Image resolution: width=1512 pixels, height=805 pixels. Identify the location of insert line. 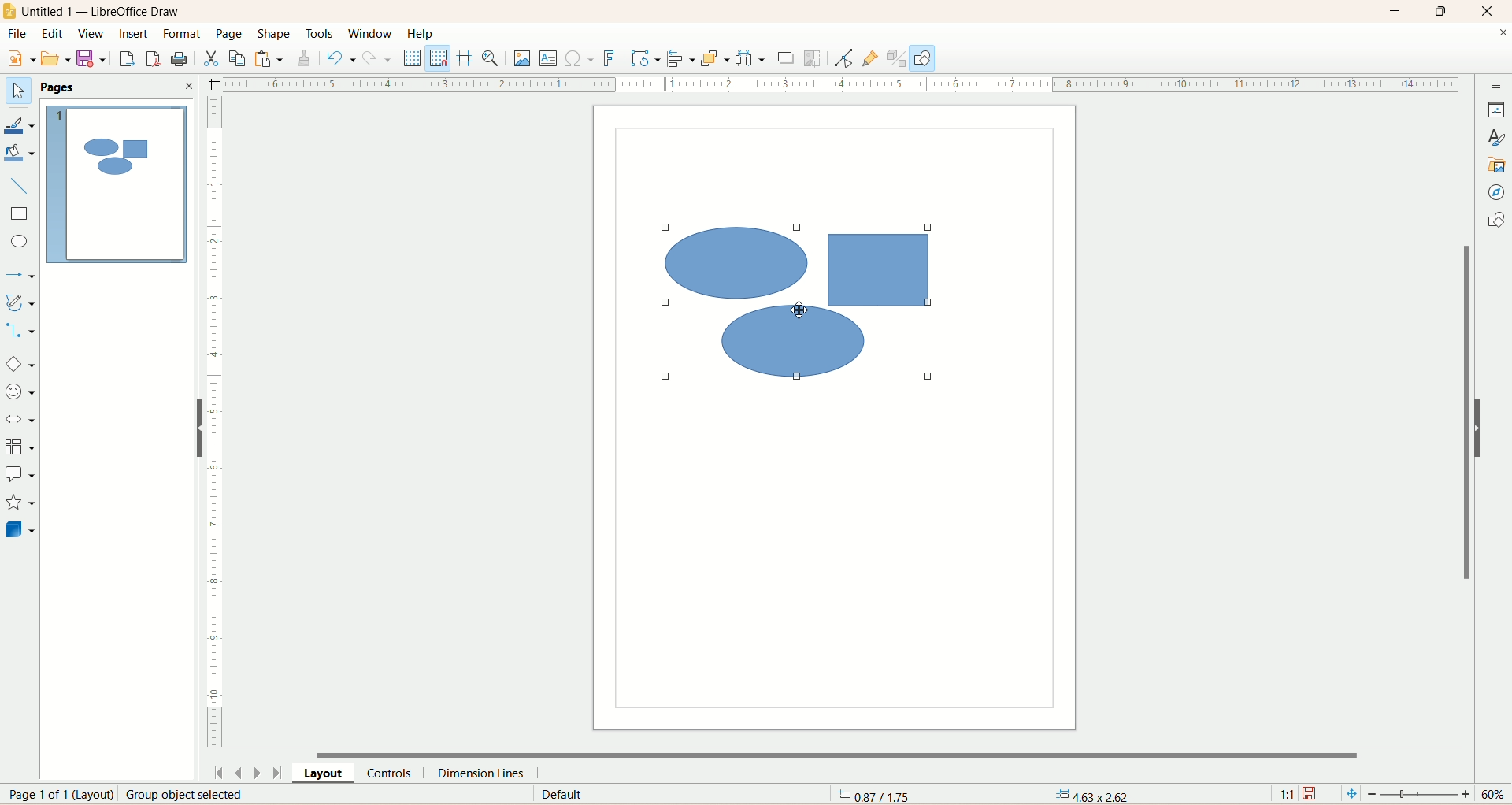
(20, 189).